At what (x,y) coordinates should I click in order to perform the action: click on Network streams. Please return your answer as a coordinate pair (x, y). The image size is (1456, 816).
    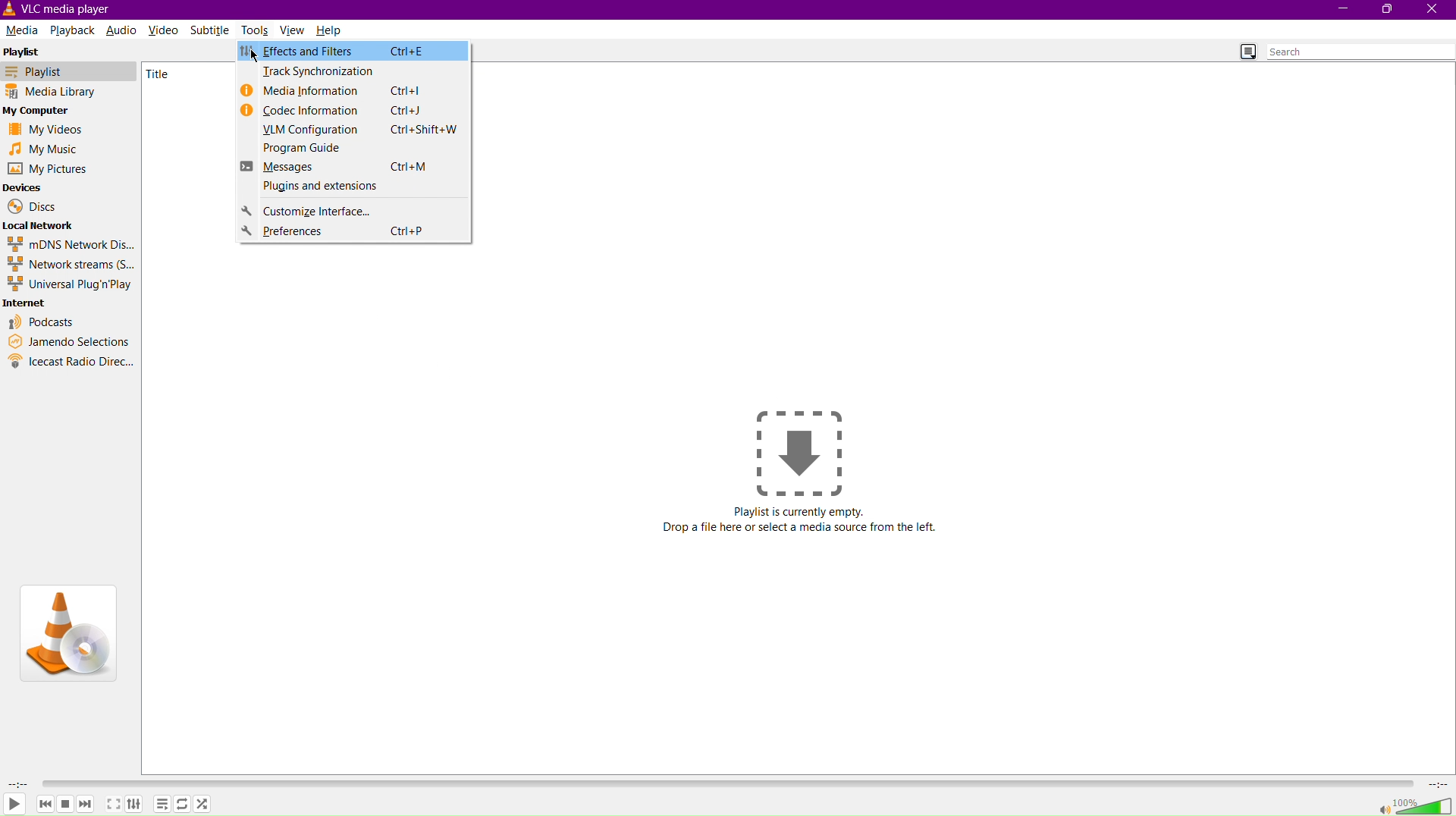
    Looking at the image, I should click on (71, 265).